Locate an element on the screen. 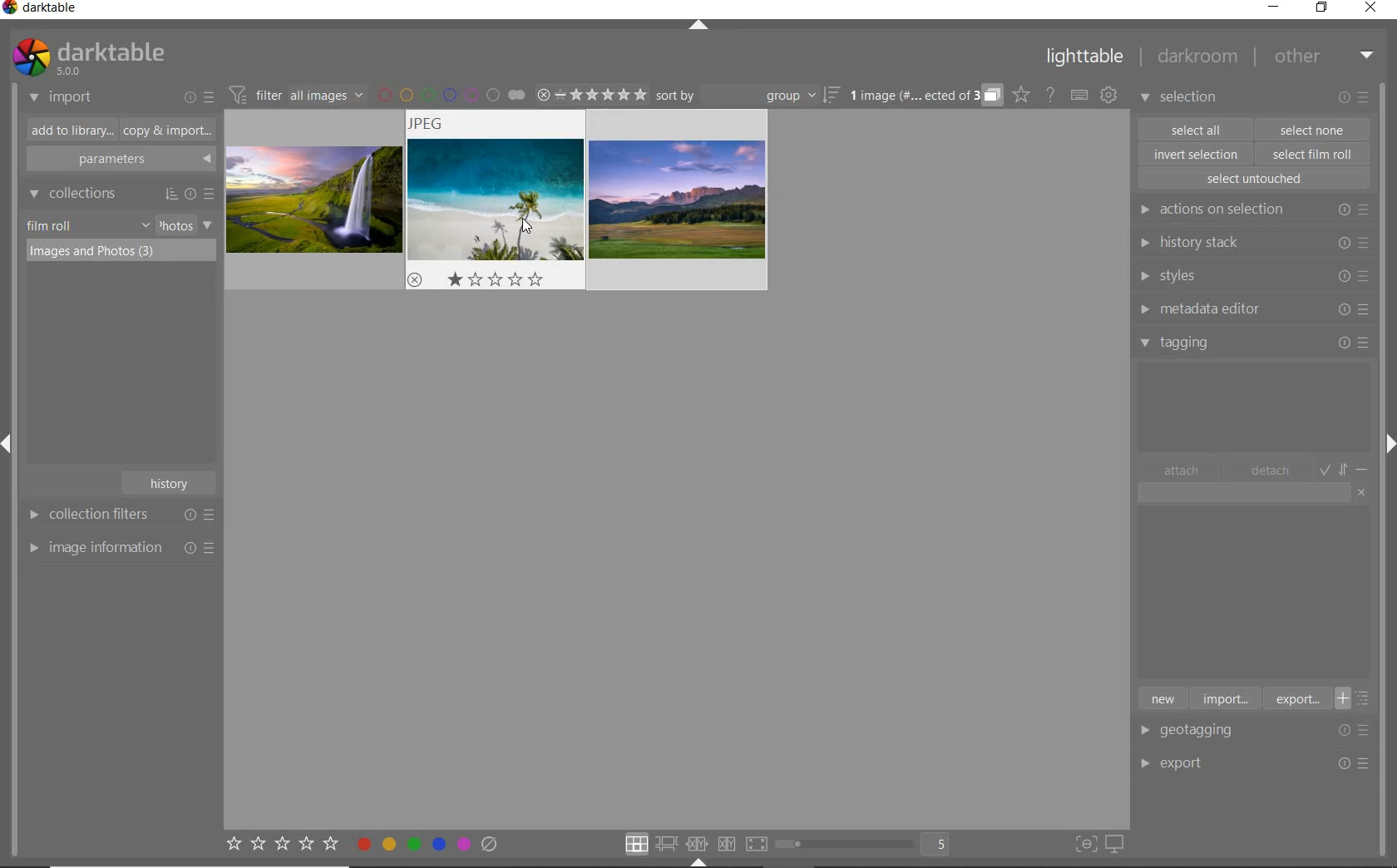 This screenshot has width=1397, height=868. select one is located at coordinates (1312, 129).